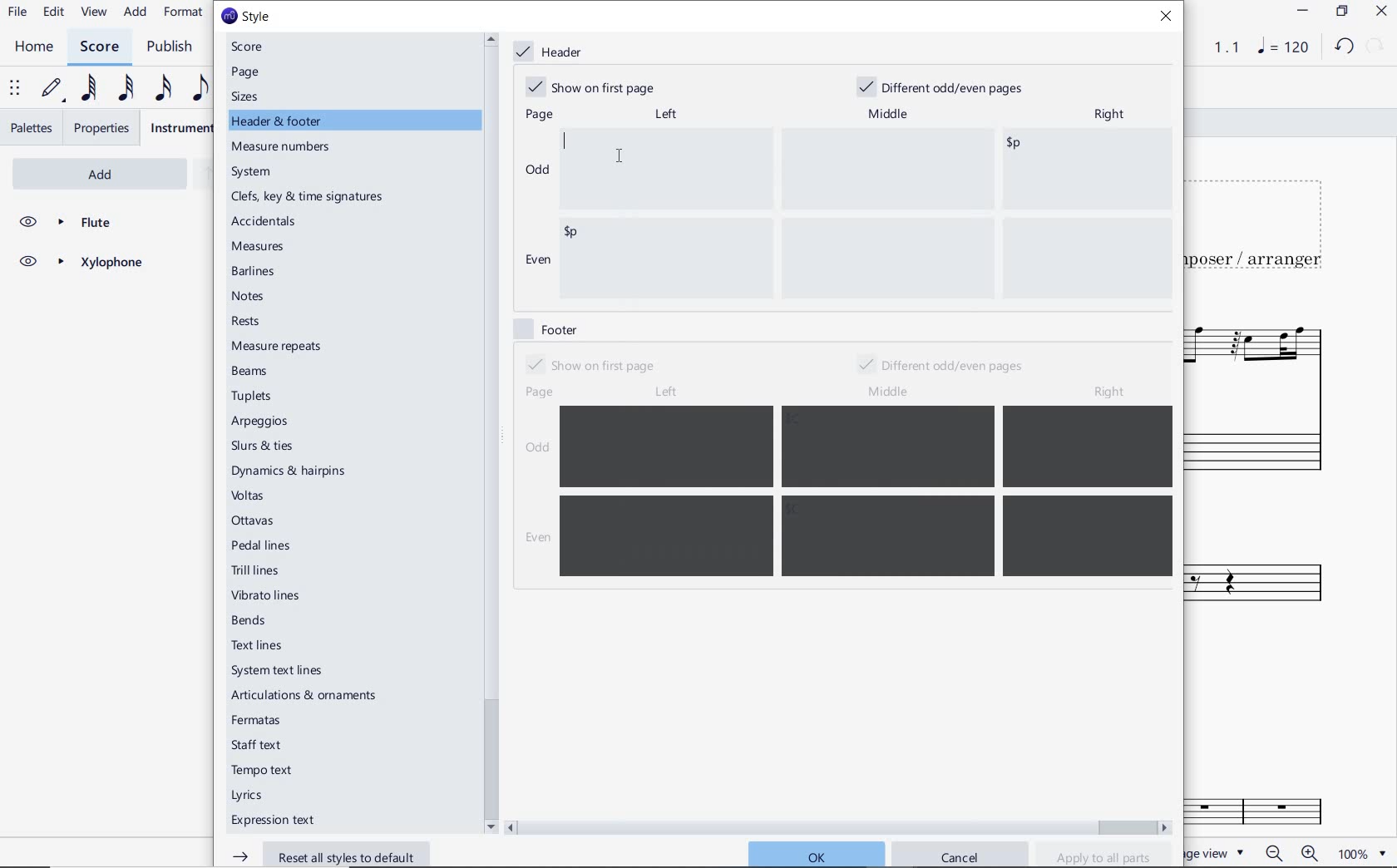  Describe the element at coordinates (174, 47) in the screenshot. I see `PUBLISH` at that location.